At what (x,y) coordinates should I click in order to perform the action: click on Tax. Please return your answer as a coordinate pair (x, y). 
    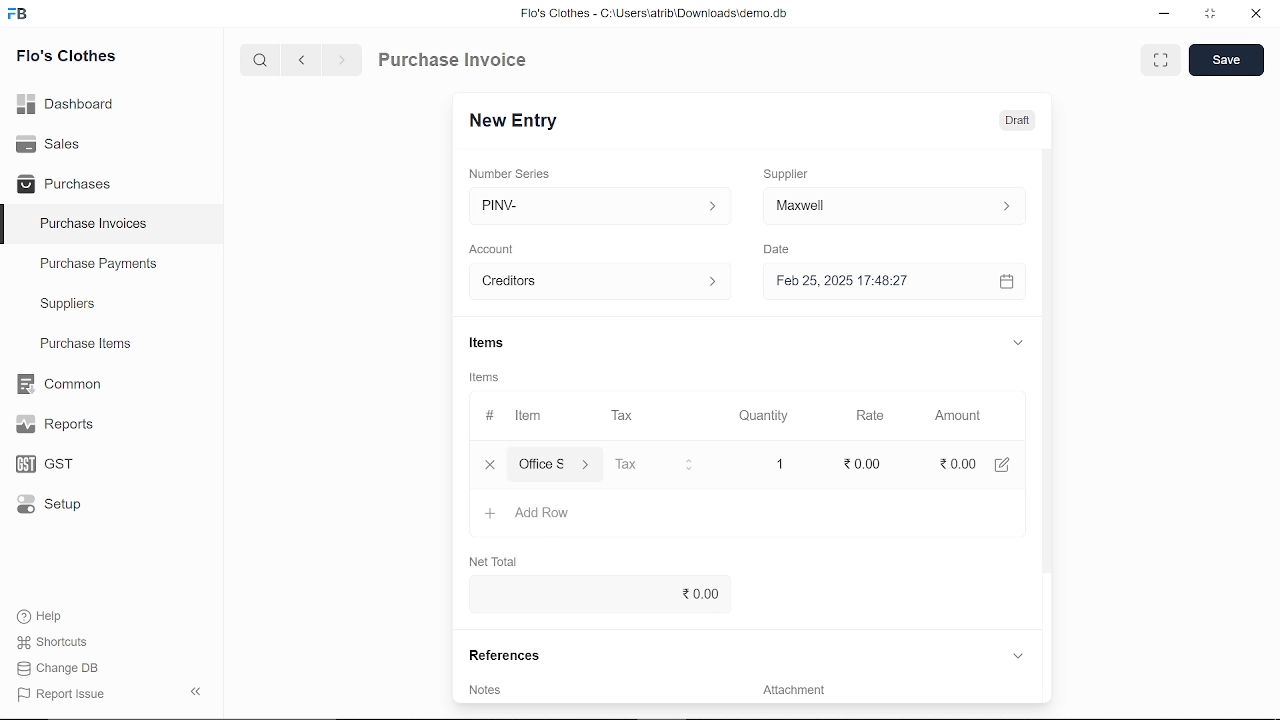
    Looking at the image, I should click on (626, 416).